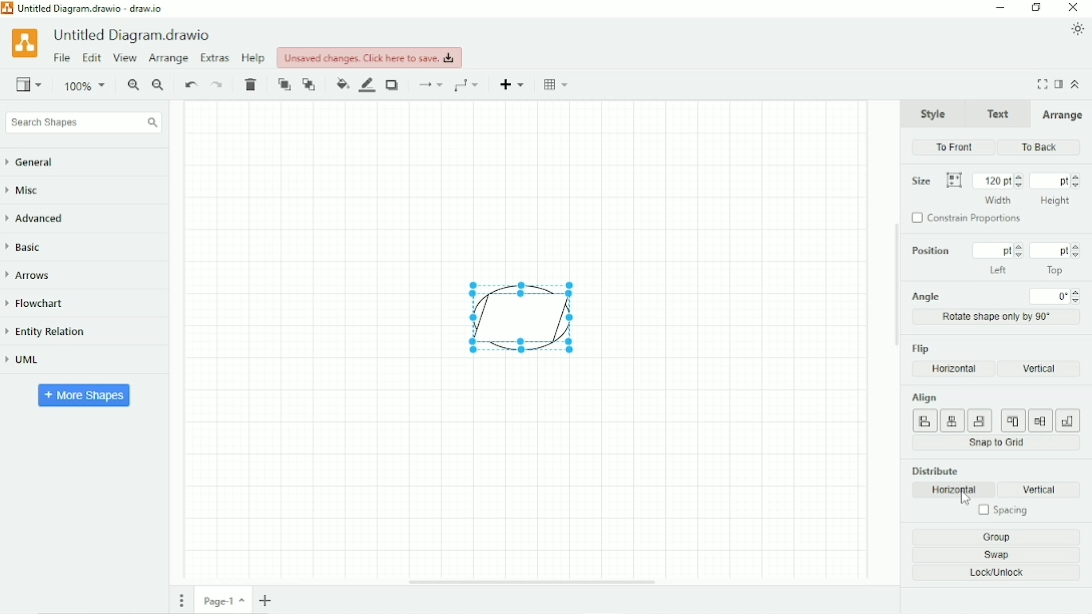 Image resolution: width=1092 pixels, height=614 pixels. Describe the element at coordinates (998, 316) in the screenshot. I see `Rotate shape by 90` at that location.